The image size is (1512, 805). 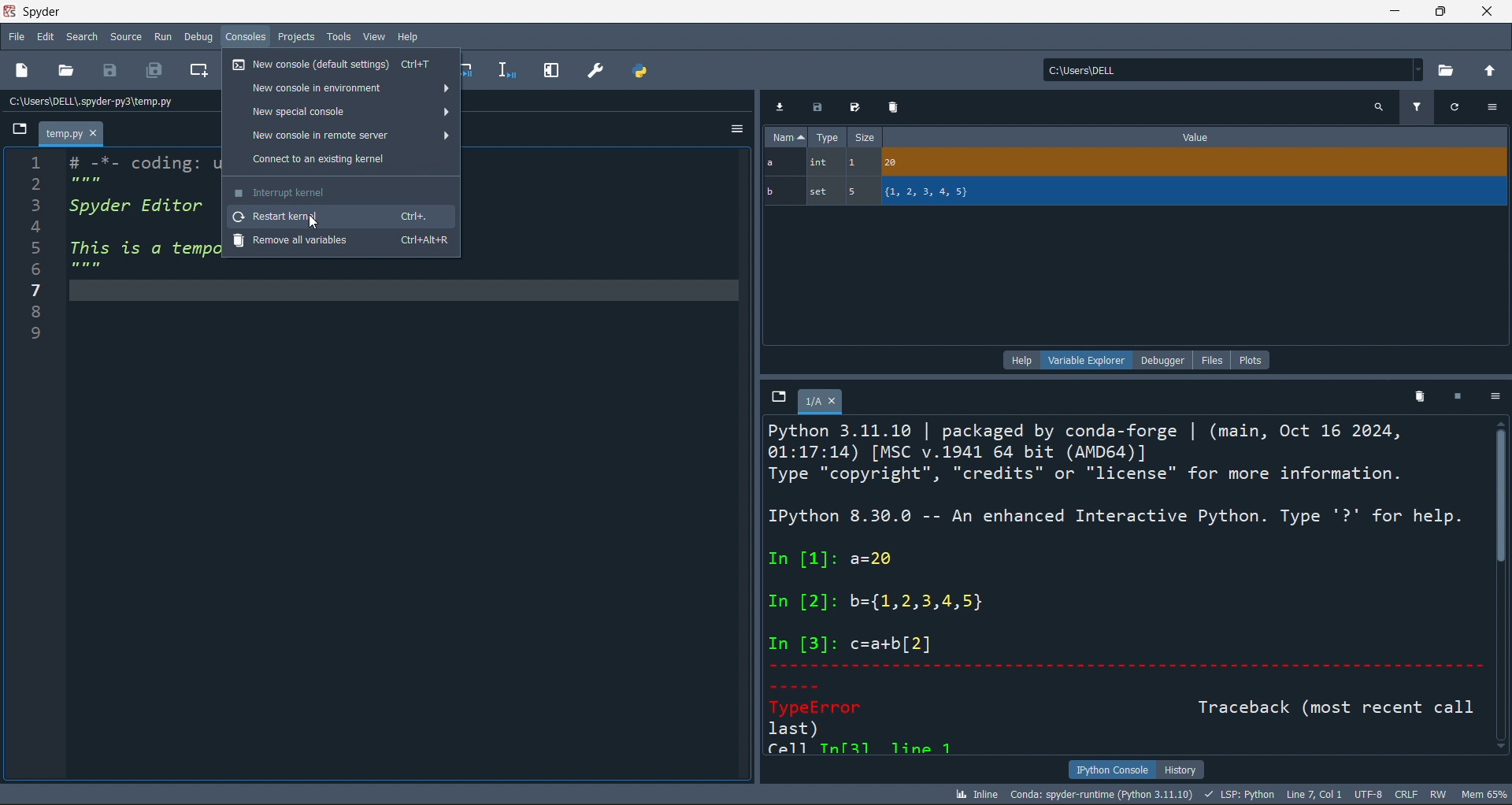 What do you see at coordinates (1380, 108) in the screenshot?
I see `search variables` at bounding box center [1380, 108].